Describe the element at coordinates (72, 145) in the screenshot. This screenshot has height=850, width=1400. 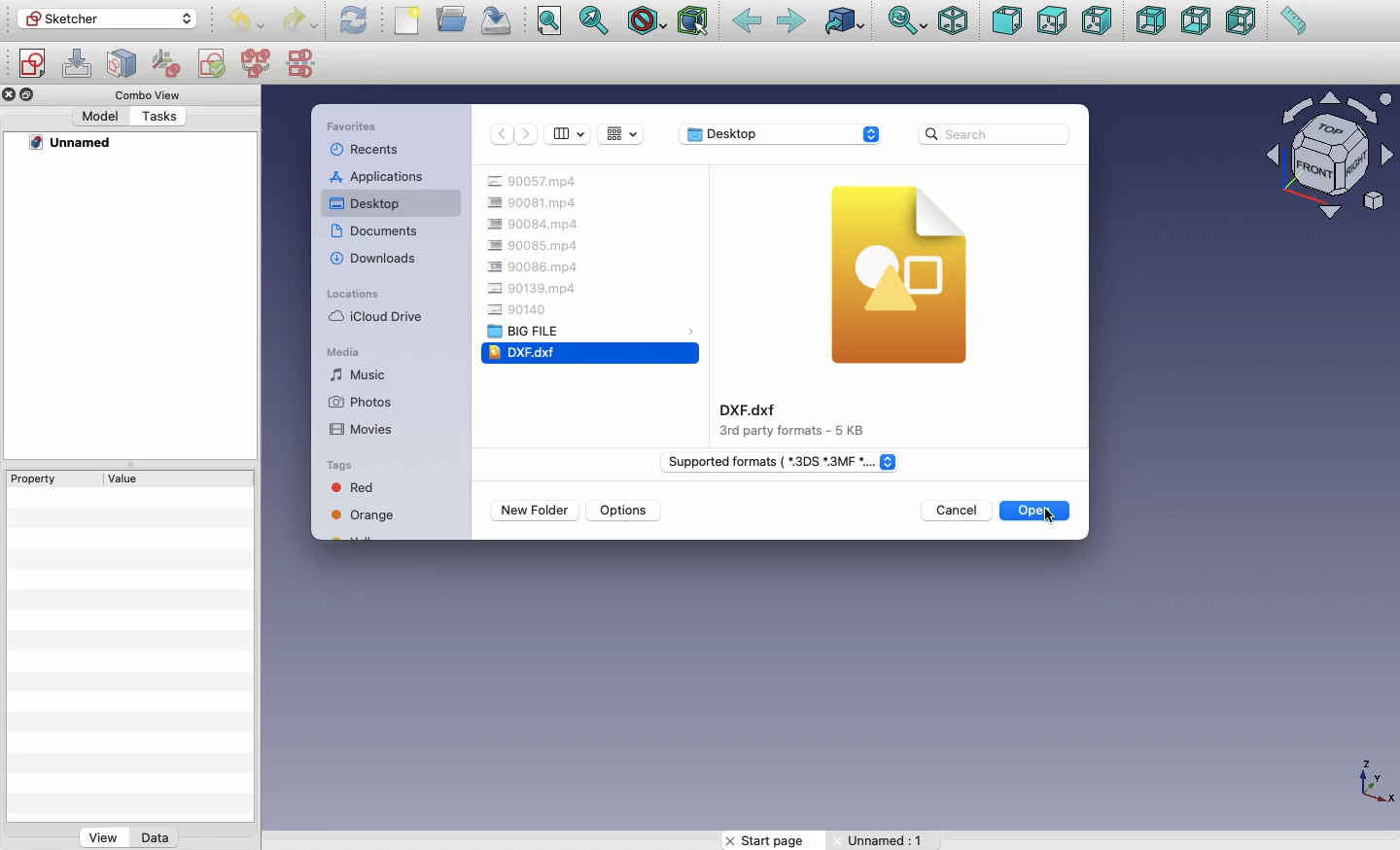
I see `Unnamed` at that location.